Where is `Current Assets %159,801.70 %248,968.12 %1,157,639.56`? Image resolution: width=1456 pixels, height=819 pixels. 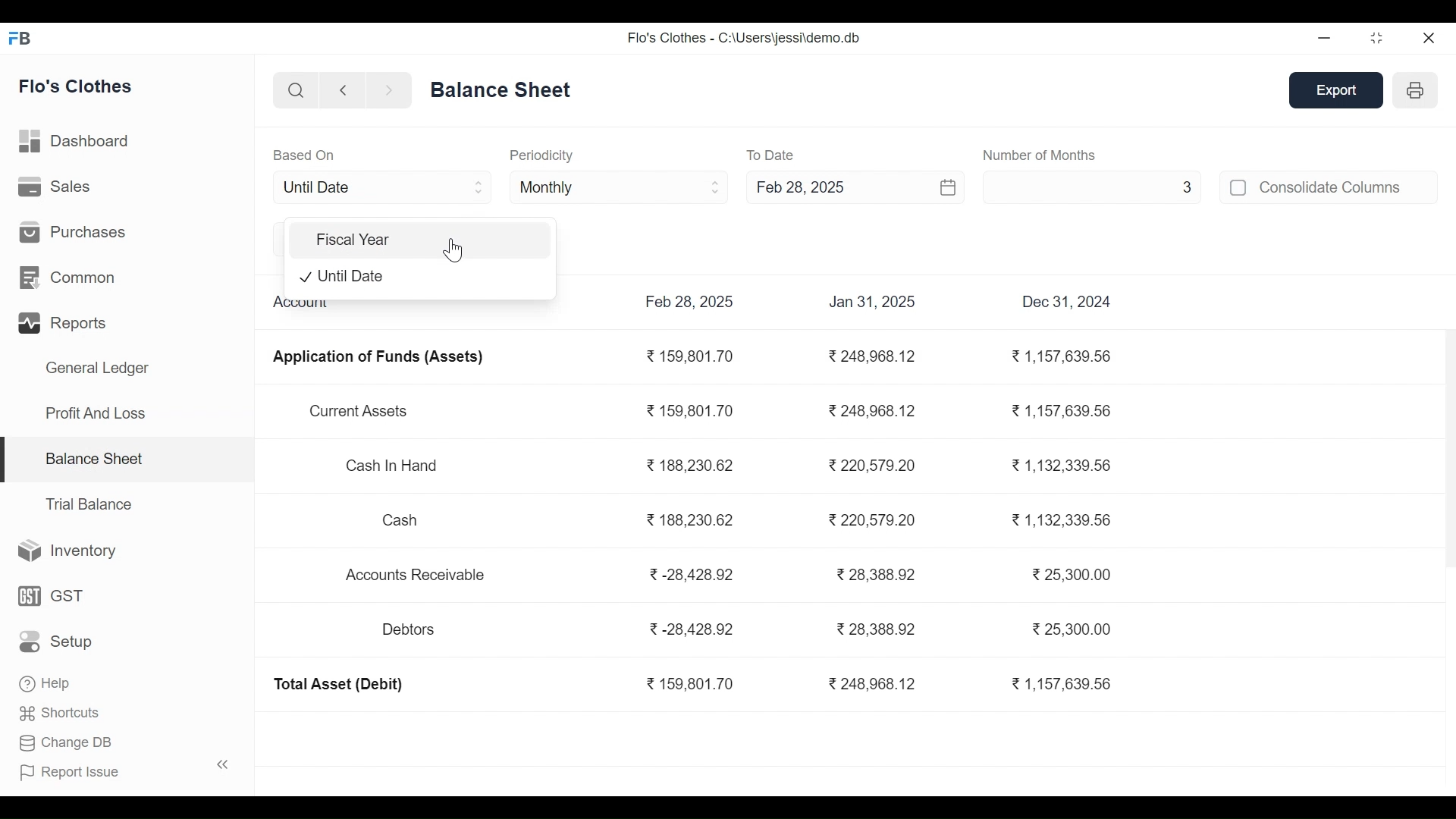 Current Assets %159,801.70 %248,968.12 %1,157,639.56 is located at coordinates (710, 413).